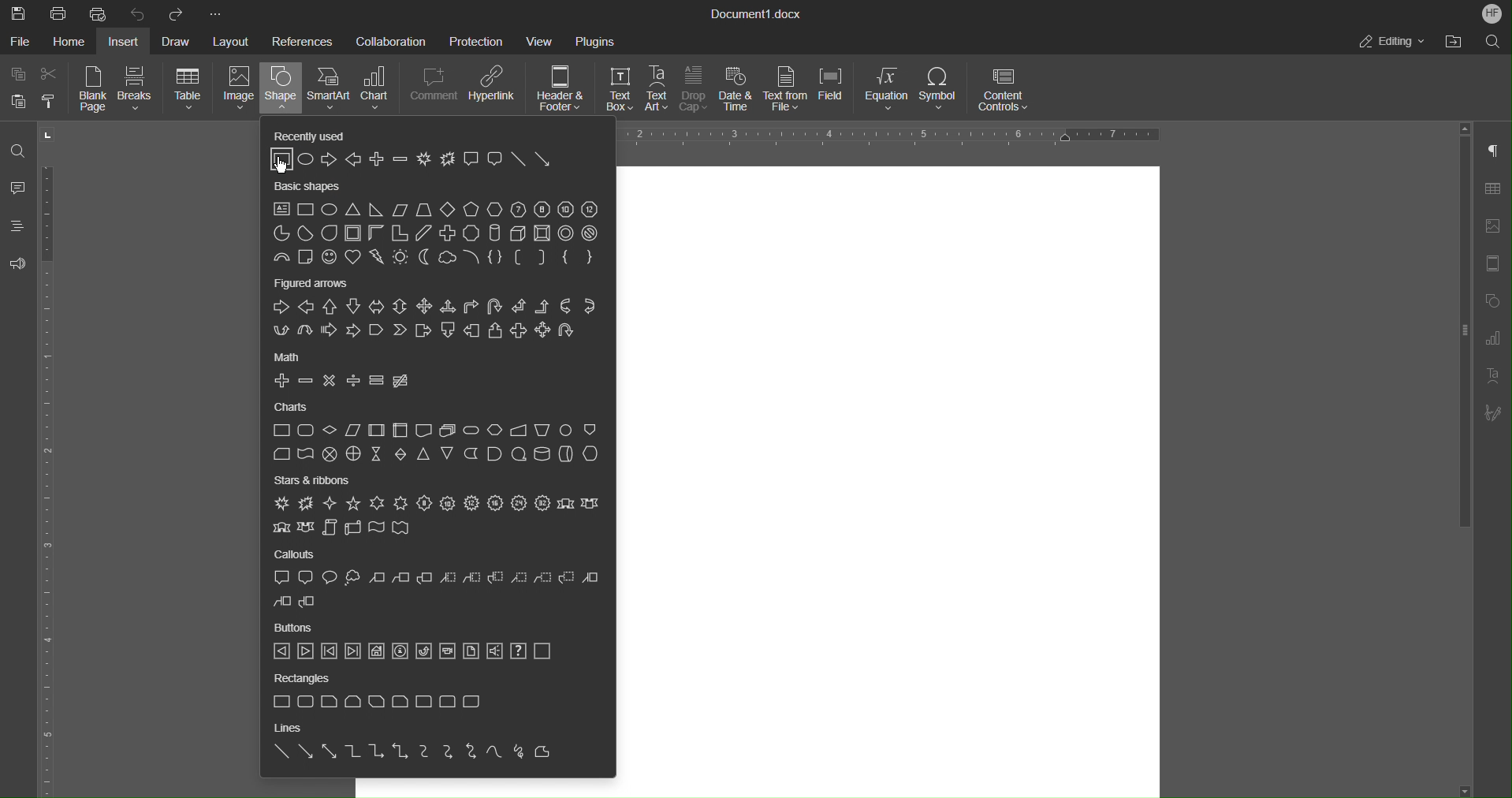 This screenshot has height=798, width=1512. What do you see at coordinates (127, 41) in the screenshot?
I see `Insert` at bounding box center [127, 41].